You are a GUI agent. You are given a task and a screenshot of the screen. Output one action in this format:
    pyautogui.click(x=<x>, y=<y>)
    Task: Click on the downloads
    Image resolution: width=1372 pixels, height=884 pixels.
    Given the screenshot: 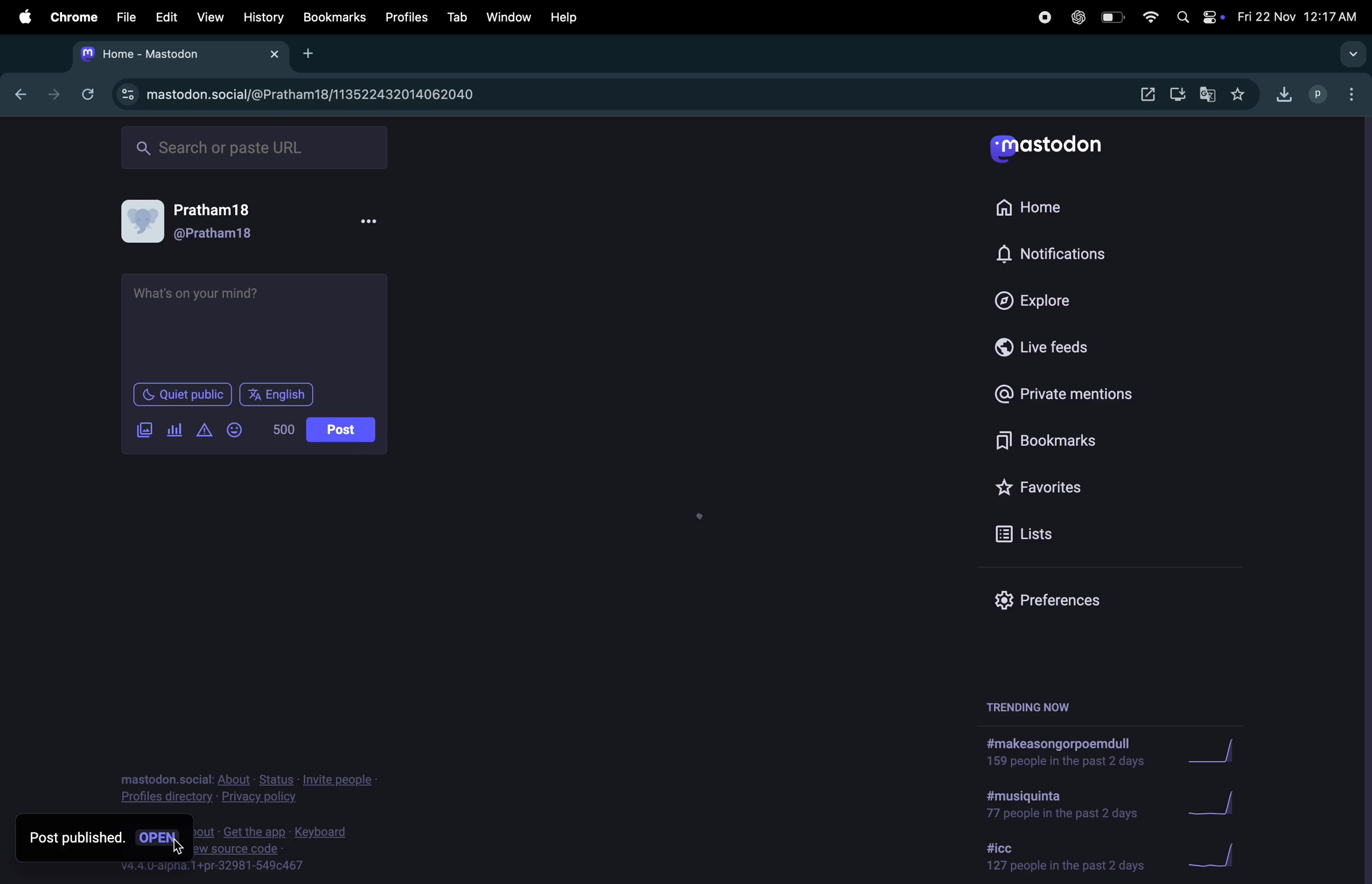 What is the action you would take?
    pyautogui.click(x=1177, y=94)
    